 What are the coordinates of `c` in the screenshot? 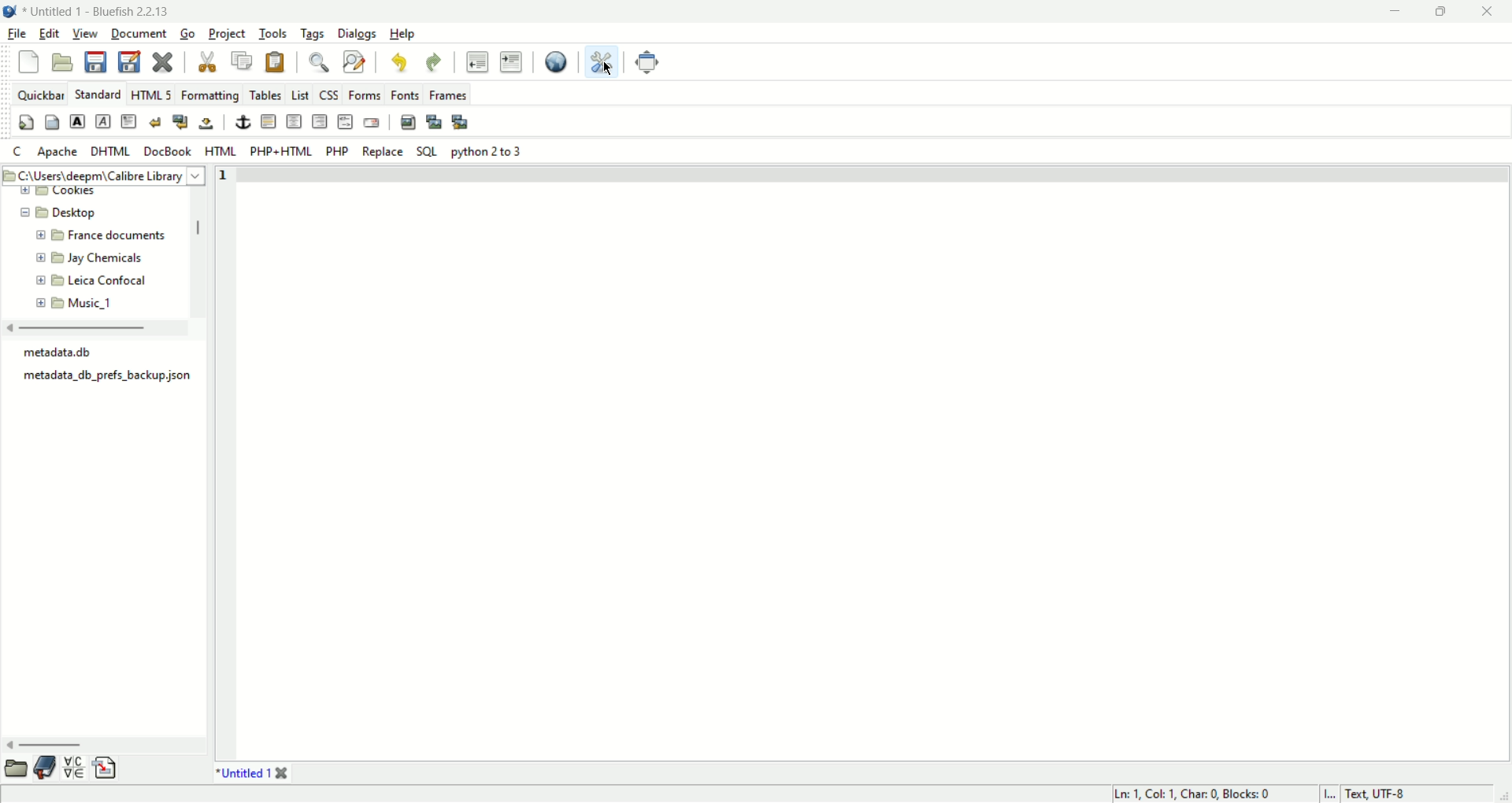 It's located at (18, 152).